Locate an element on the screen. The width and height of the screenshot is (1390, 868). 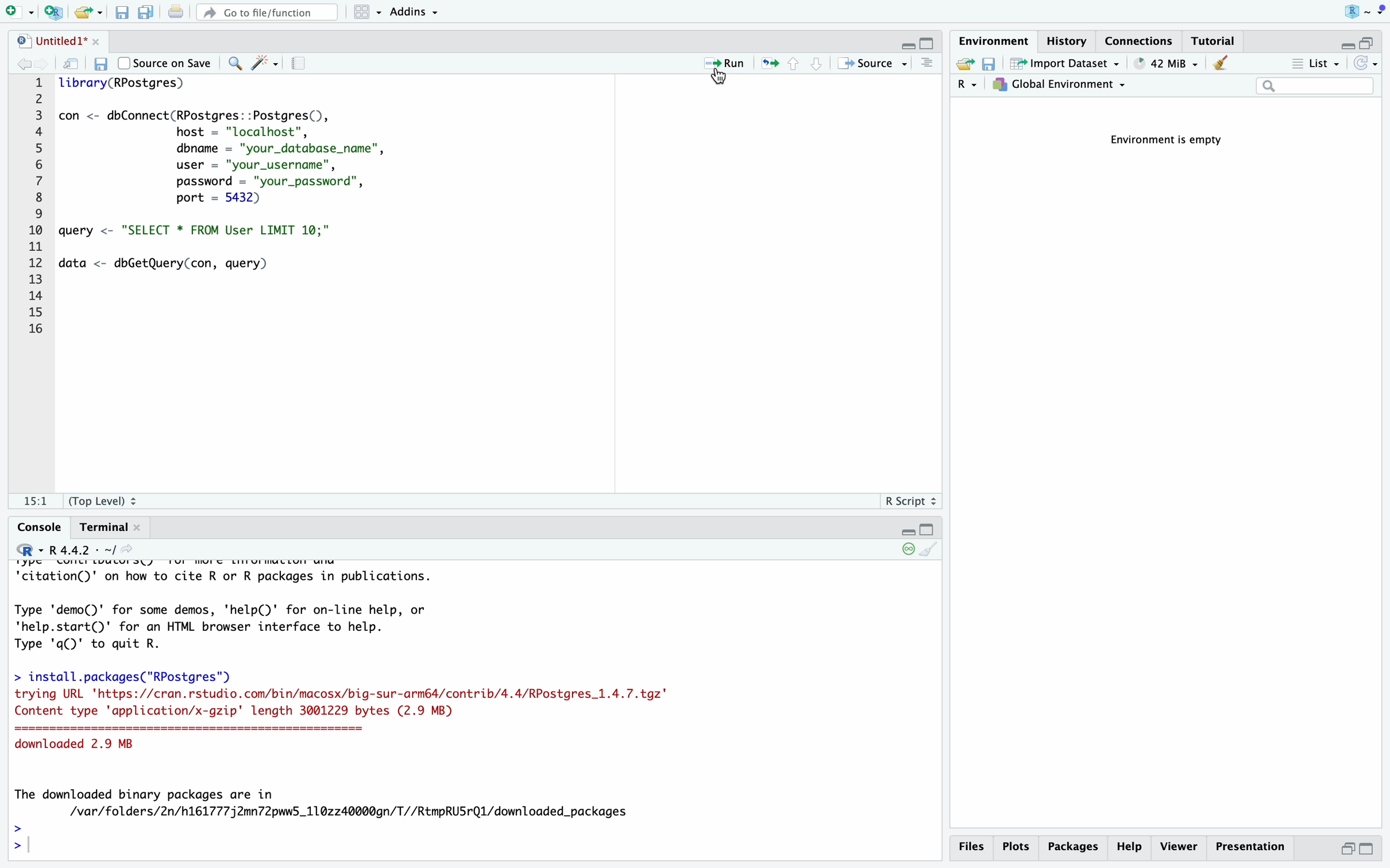
query to select is located at coordinates (206, 231).